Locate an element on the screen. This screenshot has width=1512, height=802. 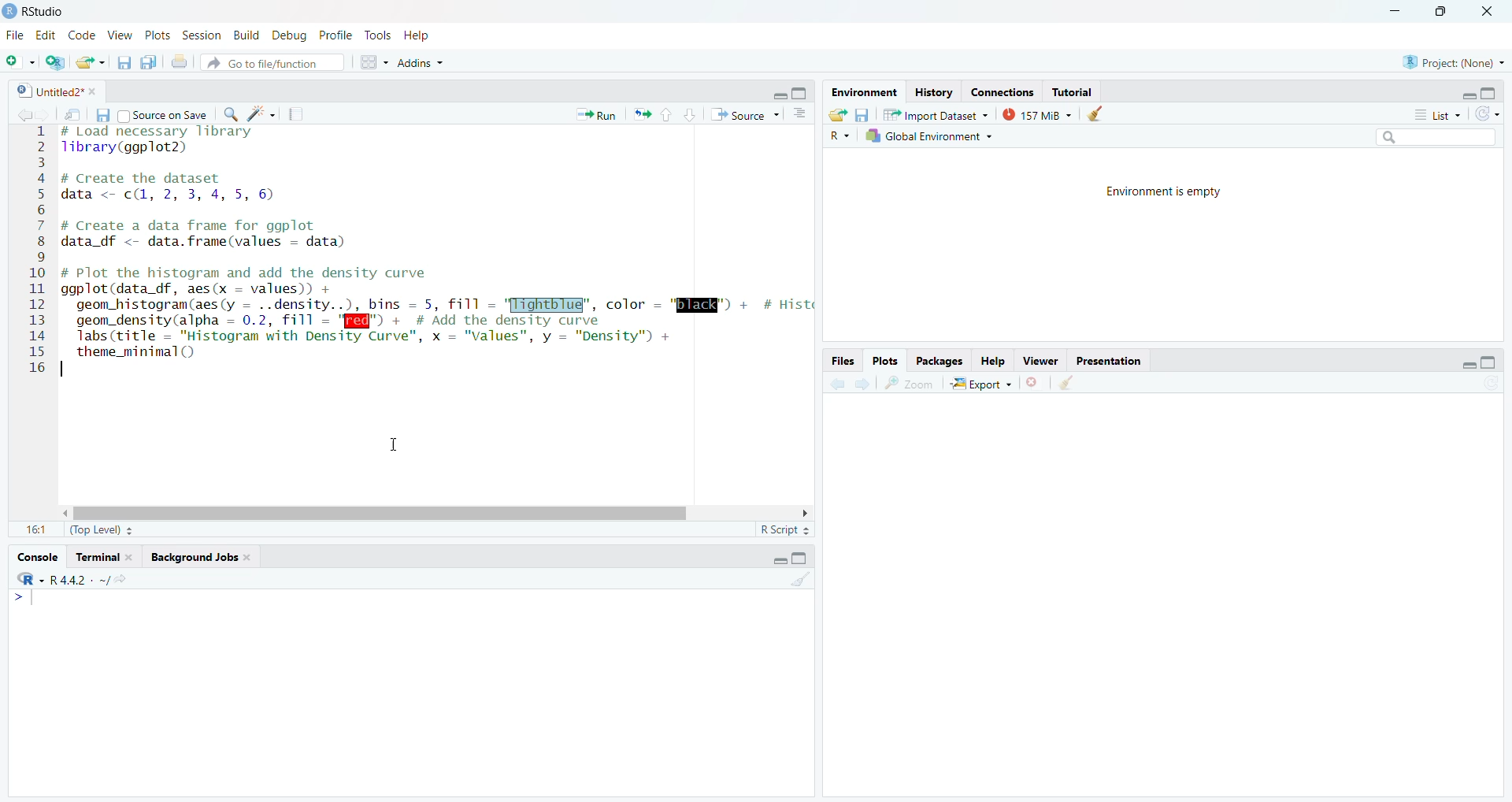
Console is located at coordinates (37, 555).